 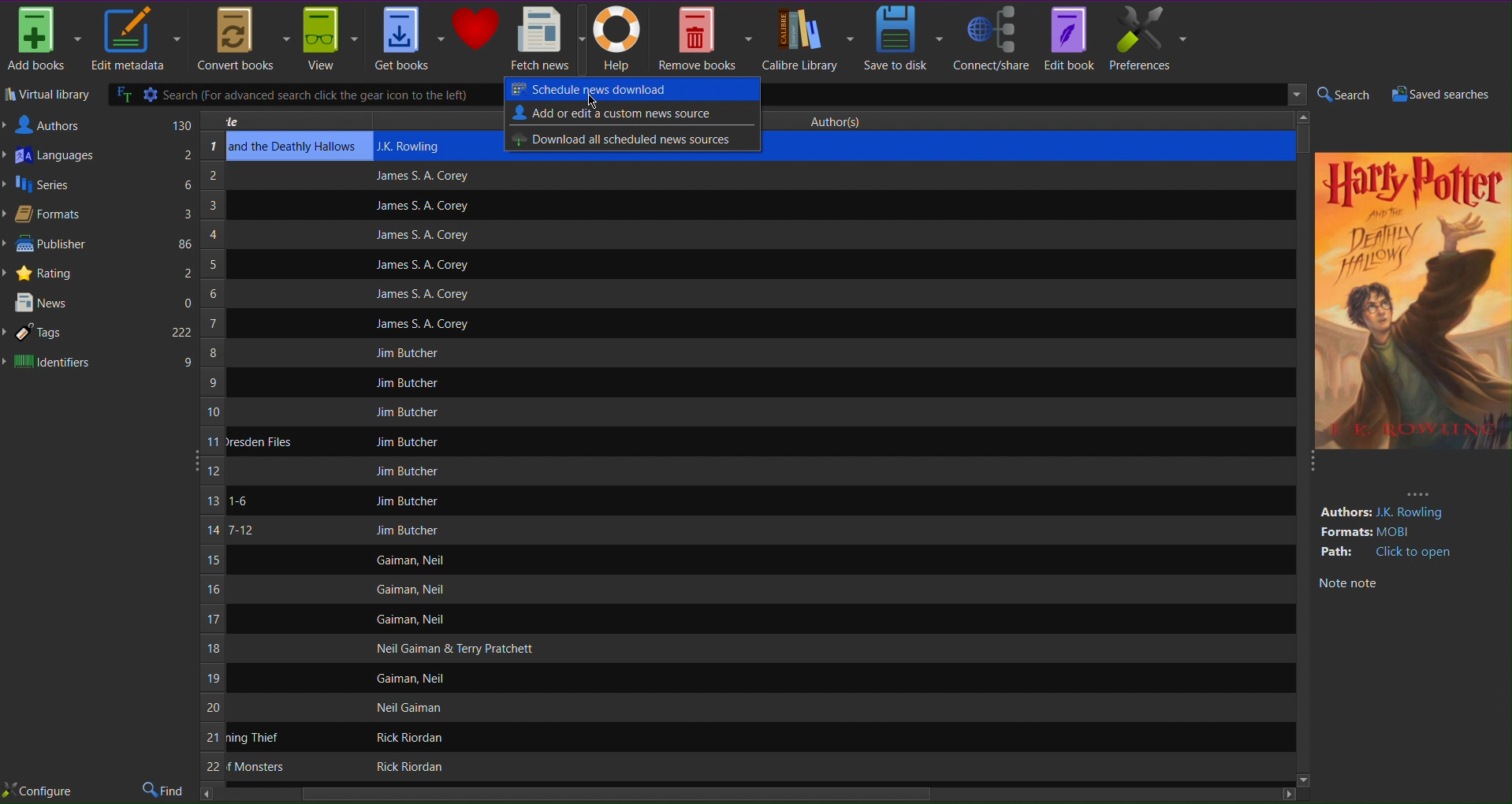 I want to click on harry potter, so click(x=1410, y=181).